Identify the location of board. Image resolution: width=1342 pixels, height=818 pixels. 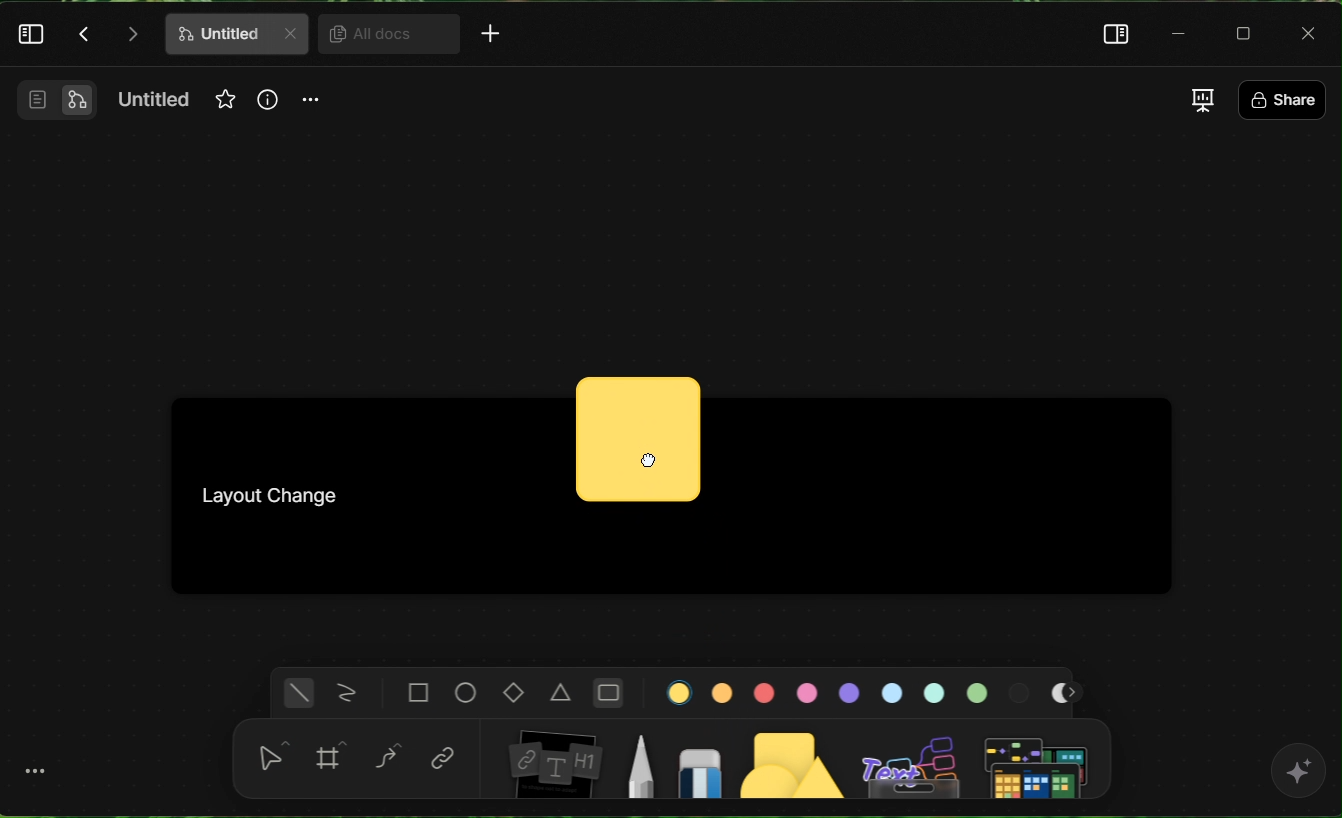
(553, 759).